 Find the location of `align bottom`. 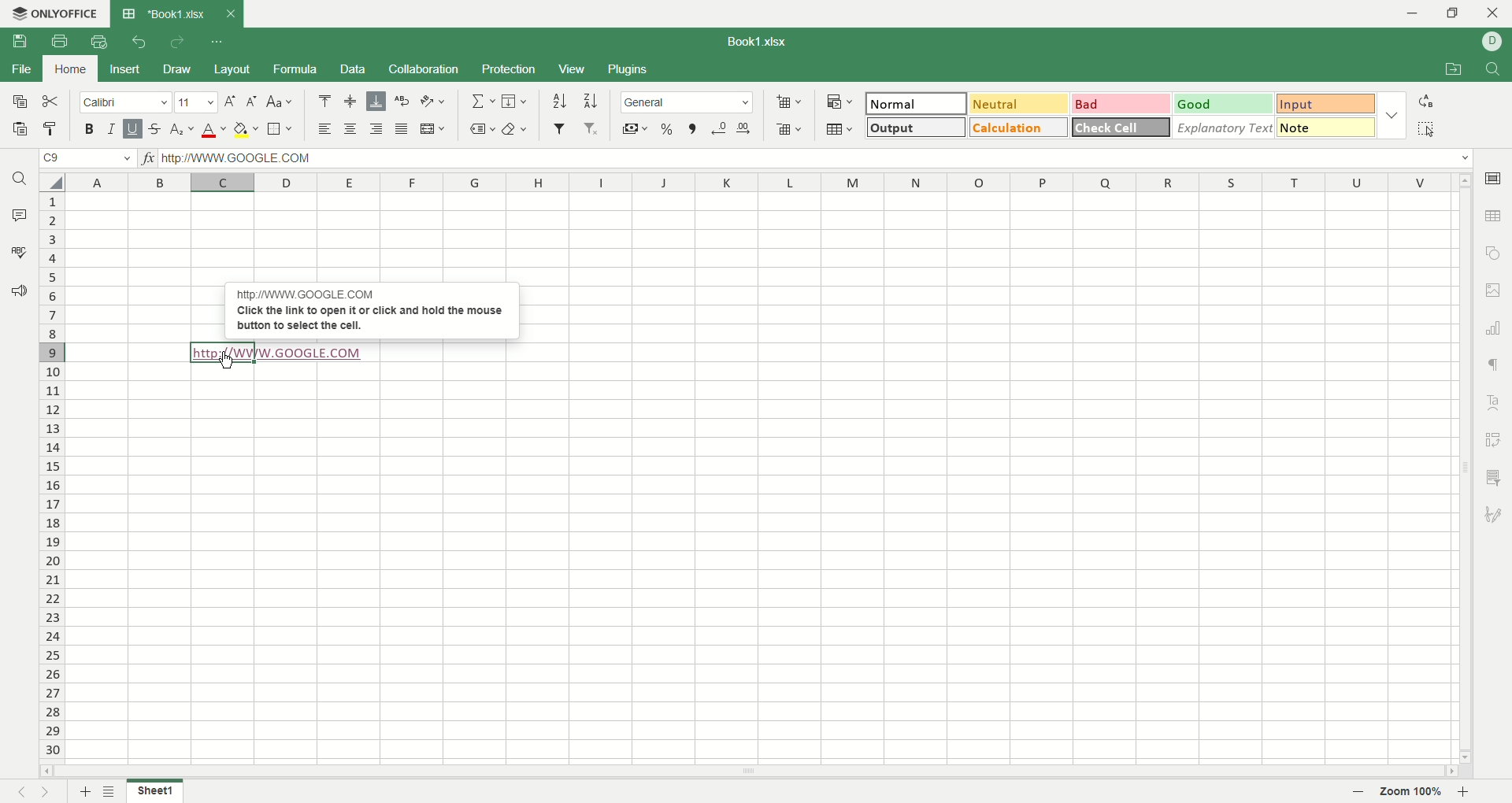

align bottom is located at coordinates (376, 101).